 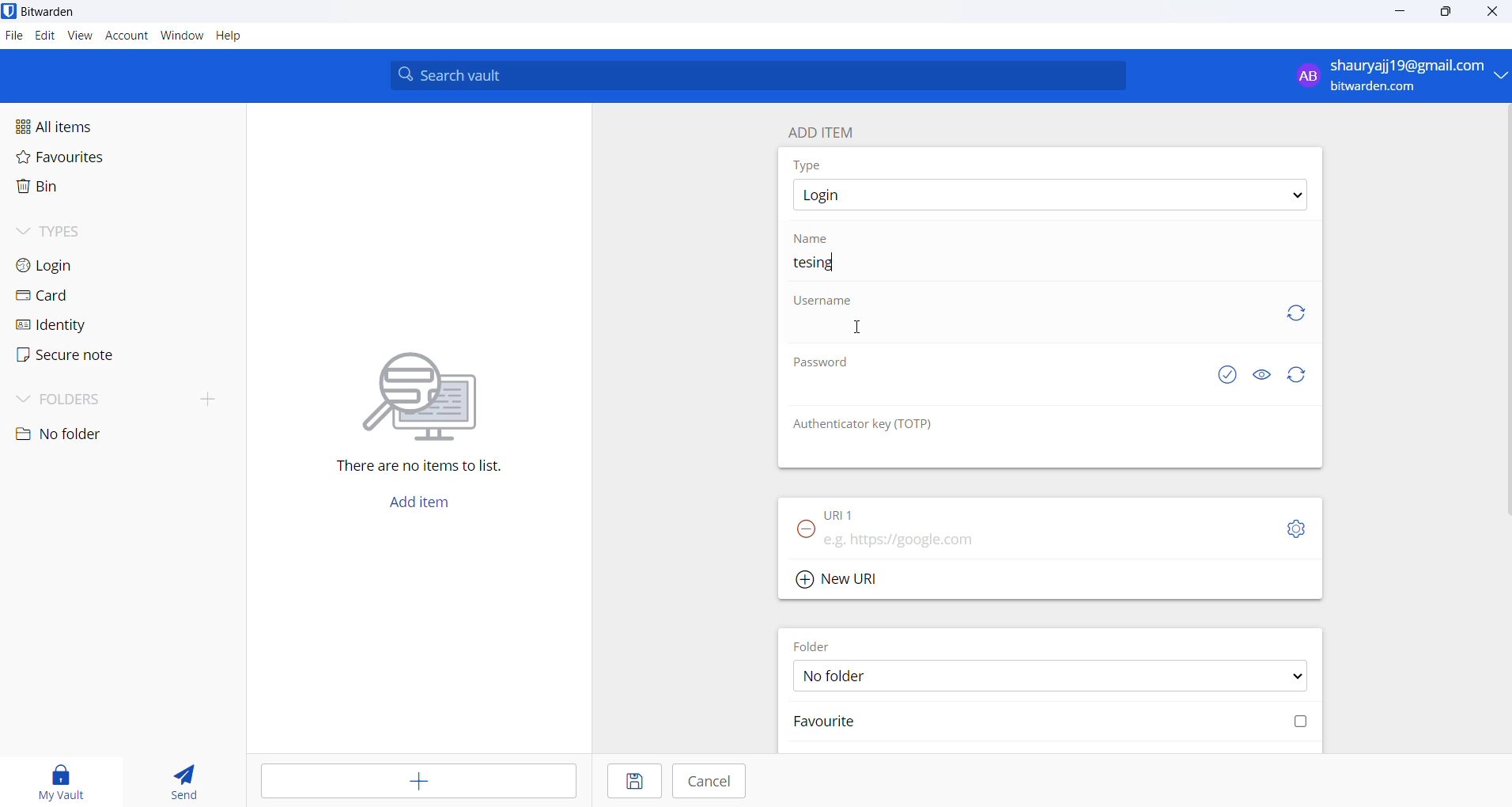 What do you see at coordinates (427, 468) in the screenshot?
I see `sentence about no items are currently in the vault` at bounding box center [427, 468].